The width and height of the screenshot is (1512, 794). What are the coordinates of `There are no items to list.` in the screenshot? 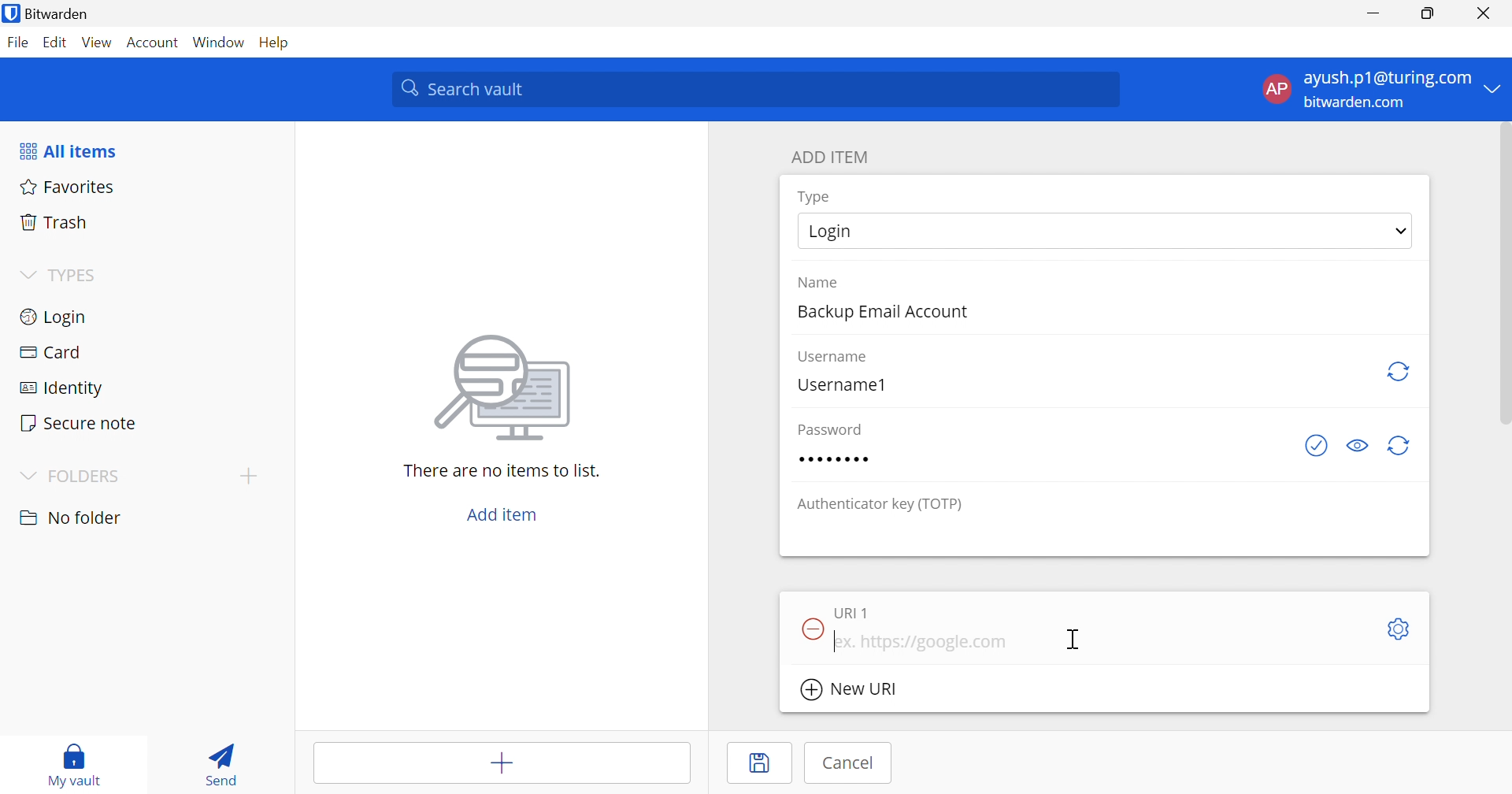 It's located at (502, 470).